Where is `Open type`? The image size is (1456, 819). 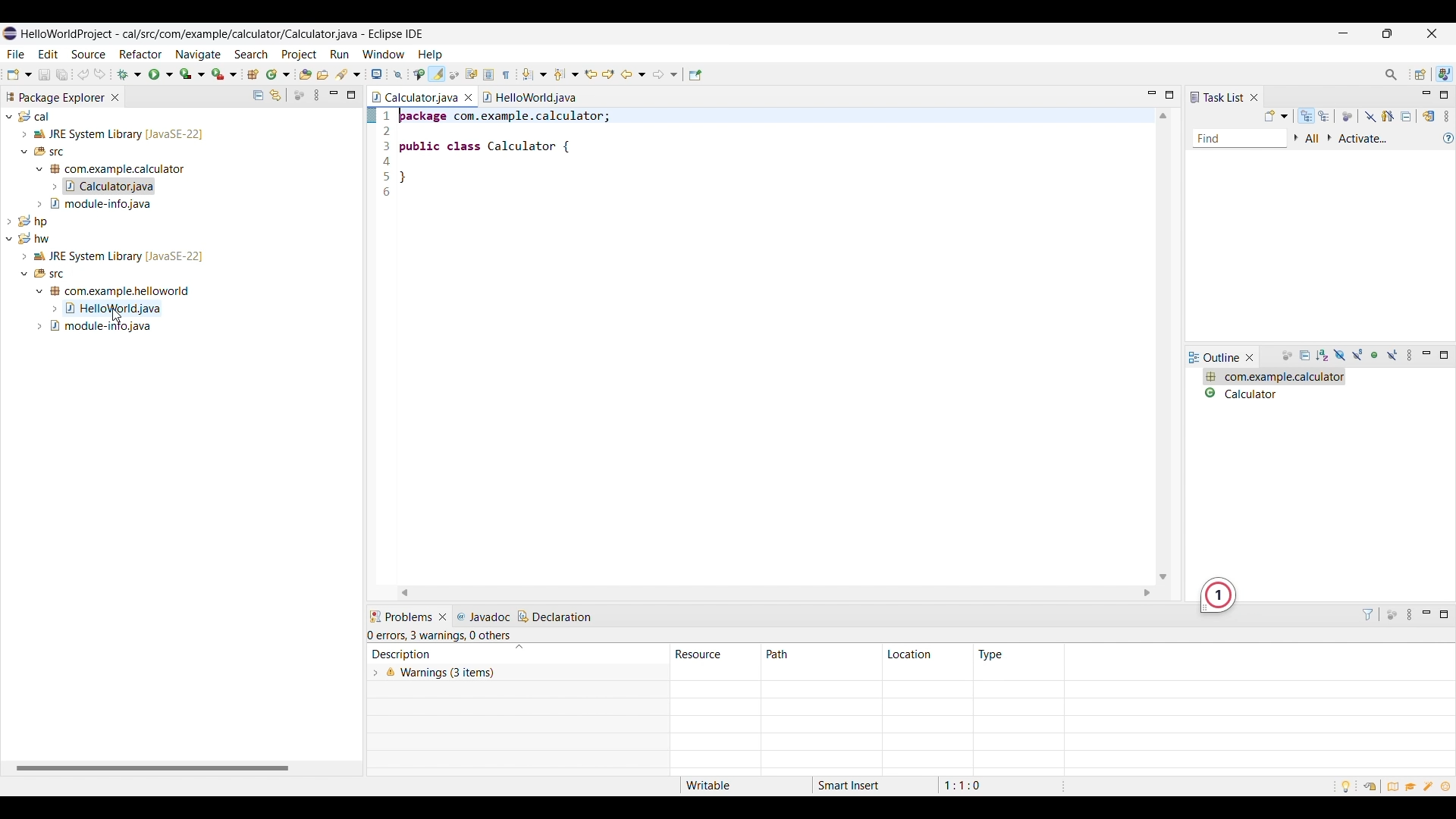
Open type is located at coordinates (306, 74).